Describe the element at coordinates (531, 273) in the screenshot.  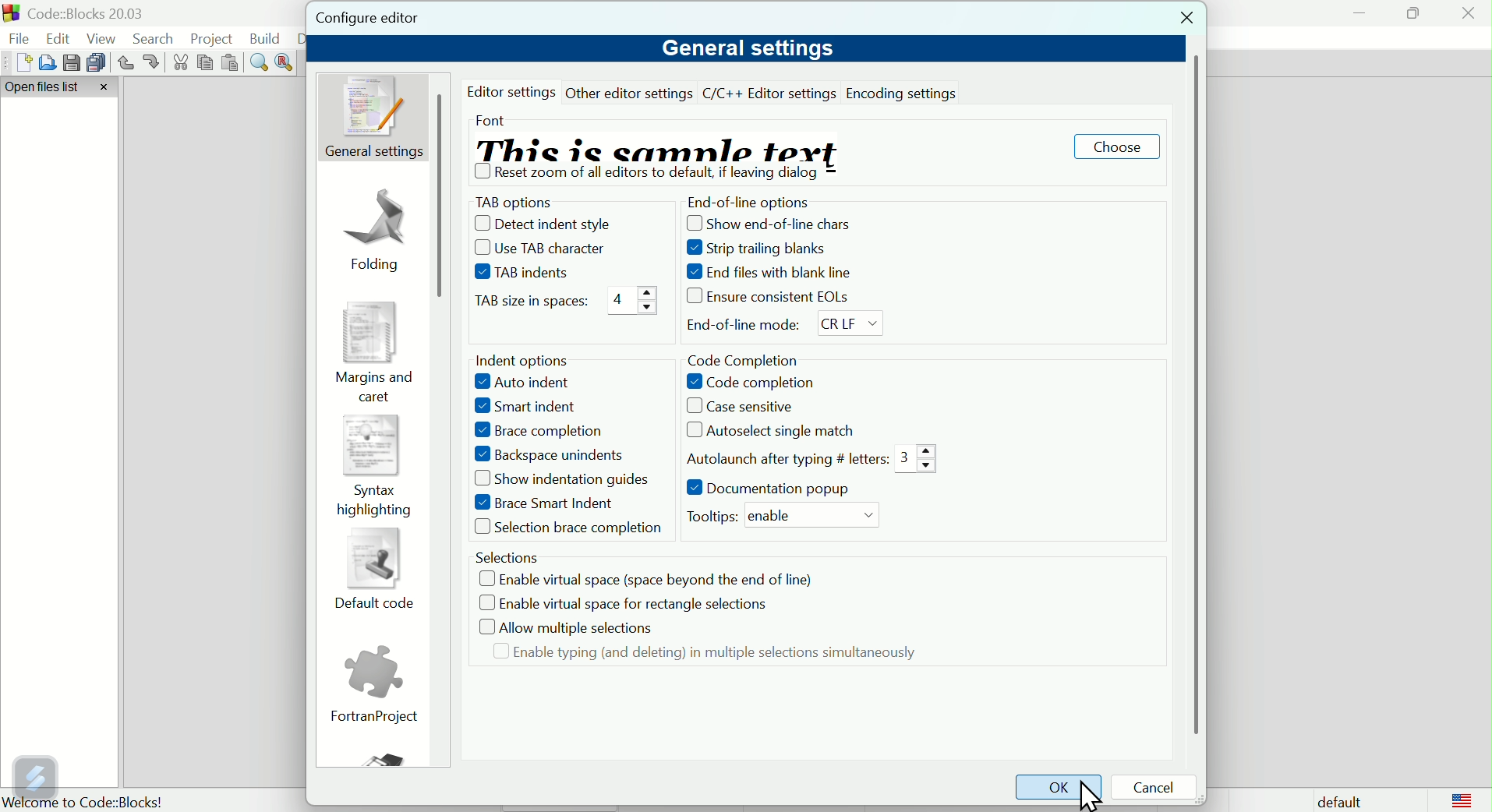
I see `Tab Indents` at that location.